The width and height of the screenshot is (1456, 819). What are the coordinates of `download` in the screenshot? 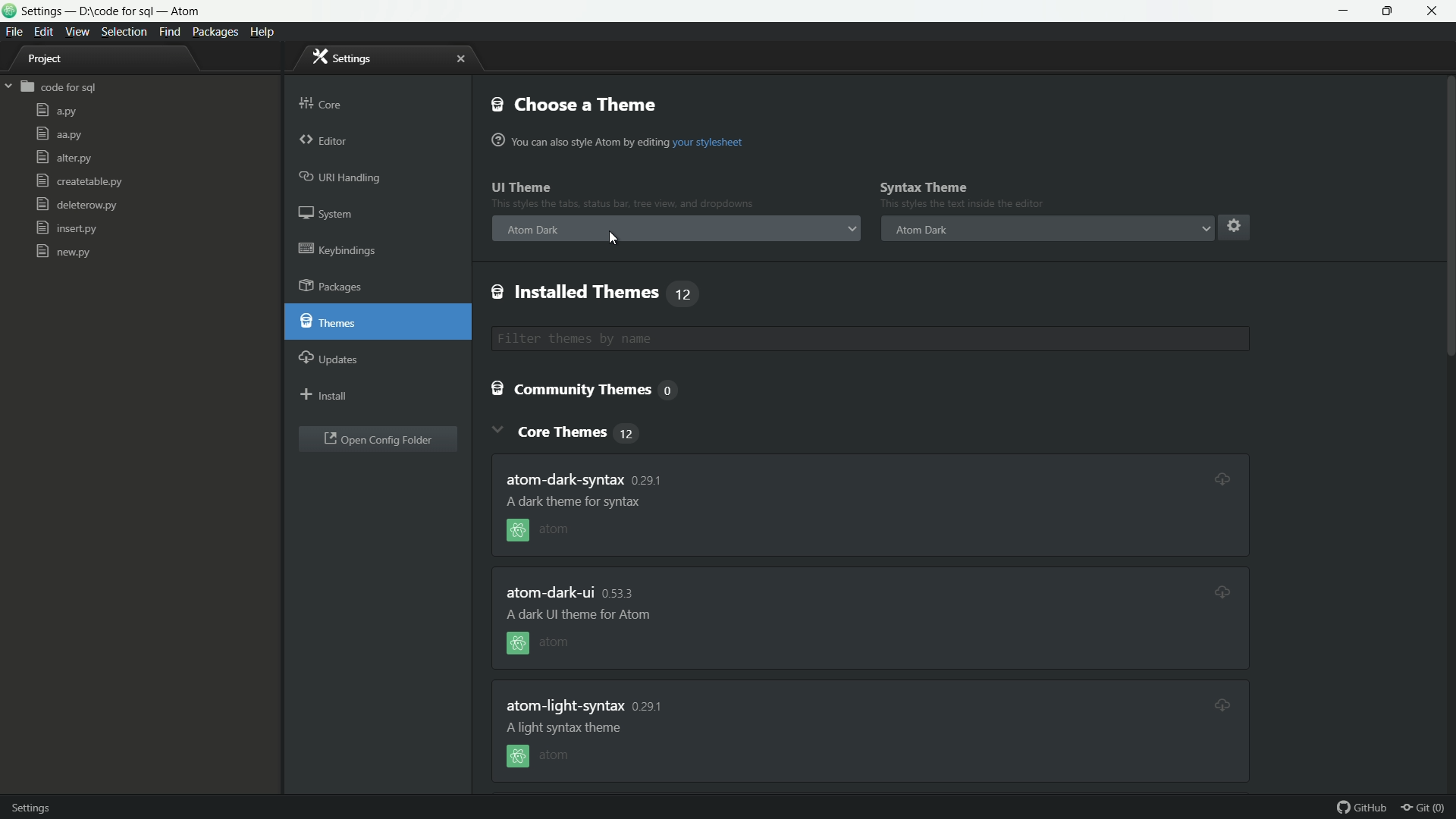 It's located at (1213, 476).